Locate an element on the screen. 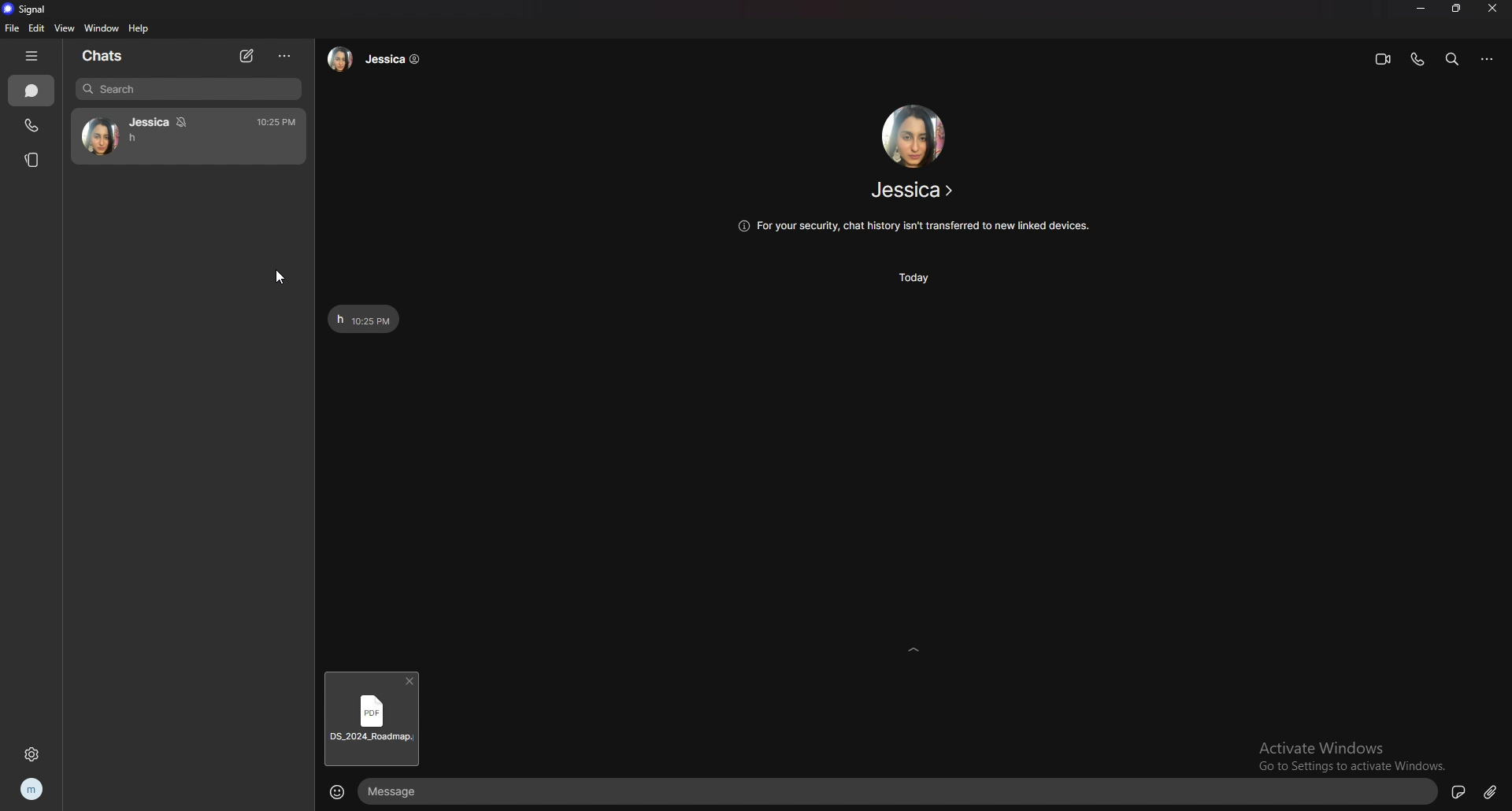  time is located at coordinates (919, 277).